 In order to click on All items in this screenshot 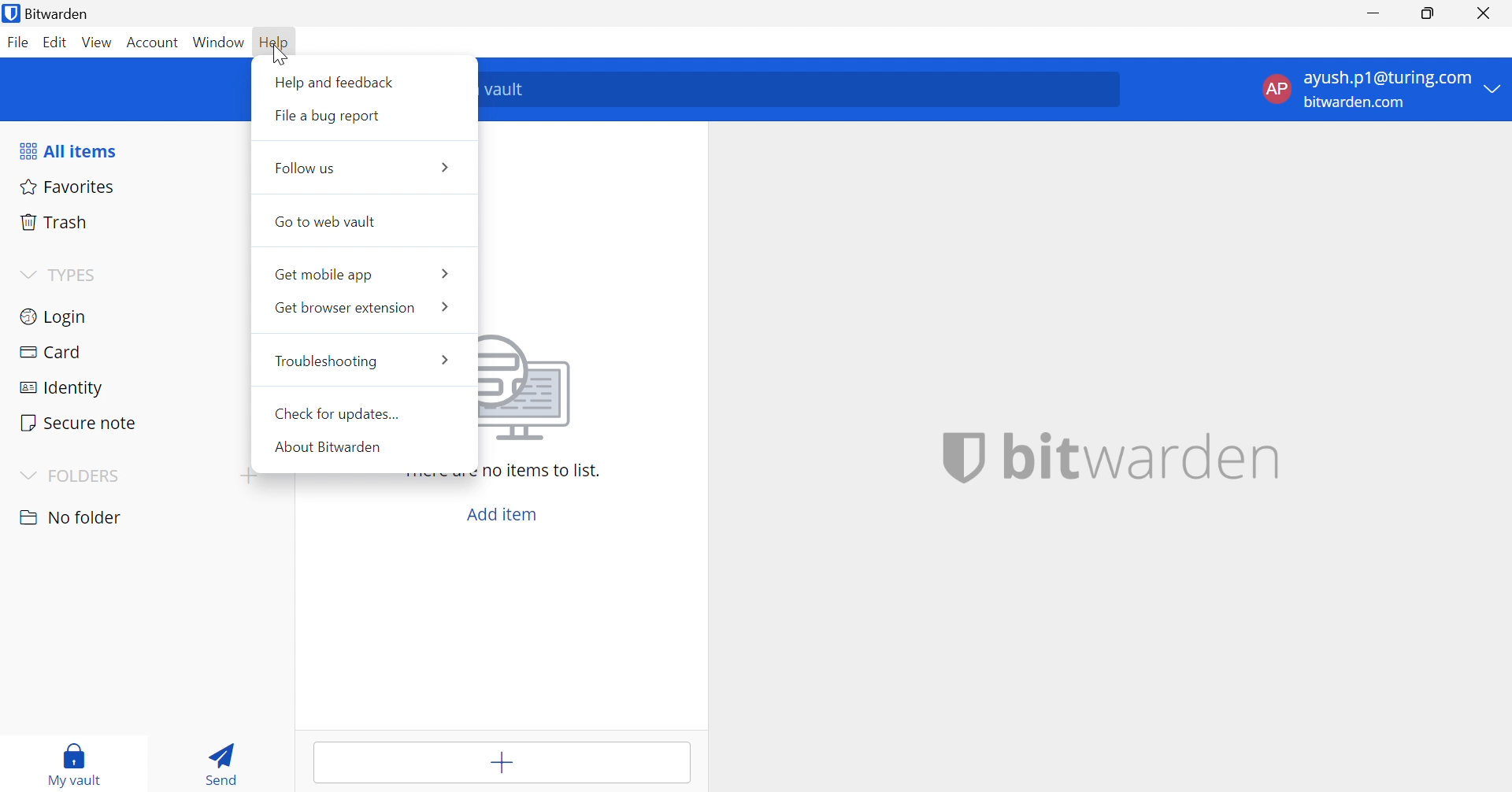, I will do `click(130, 150)`.